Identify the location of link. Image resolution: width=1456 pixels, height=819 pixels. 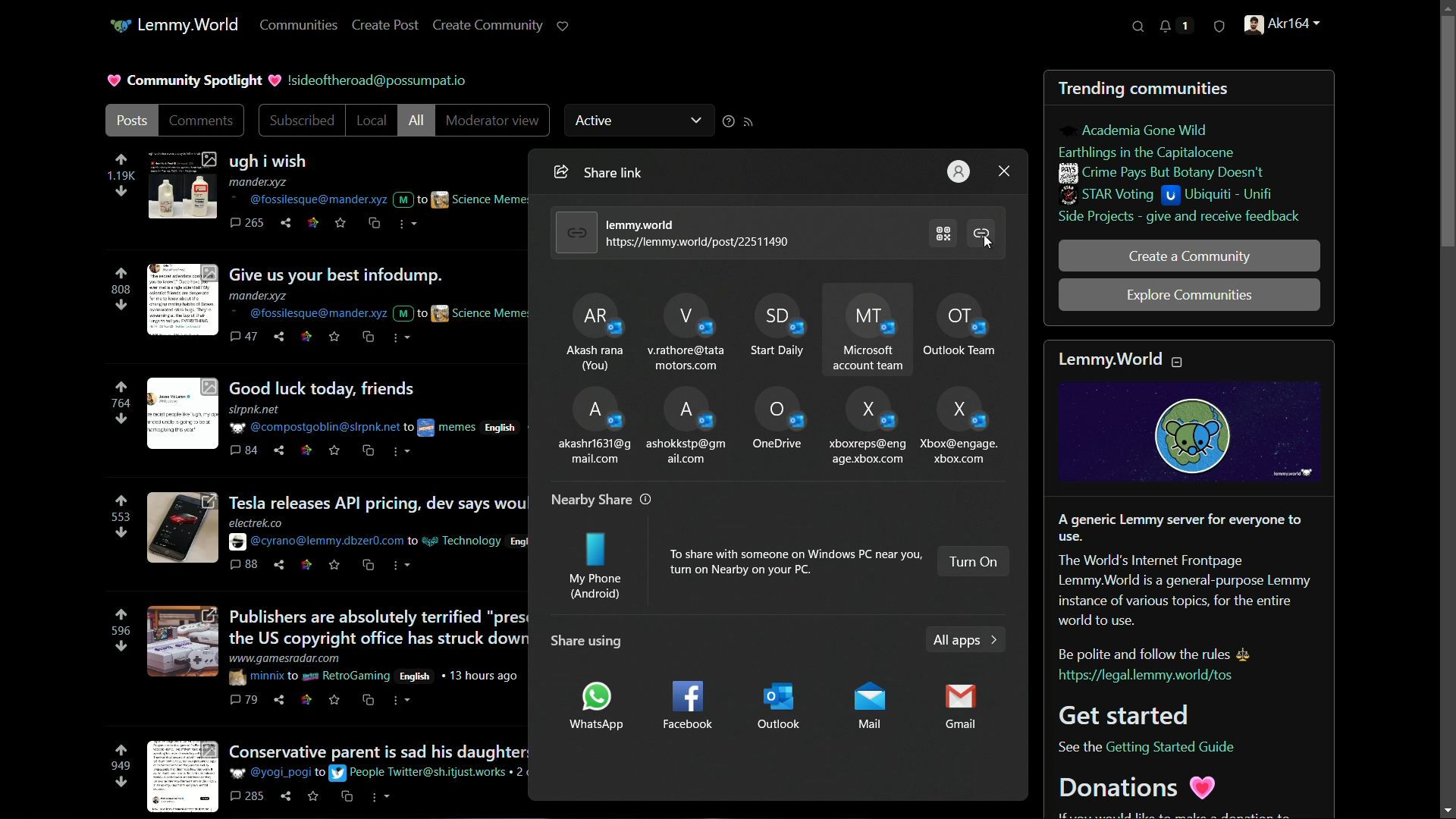
(307, 337).